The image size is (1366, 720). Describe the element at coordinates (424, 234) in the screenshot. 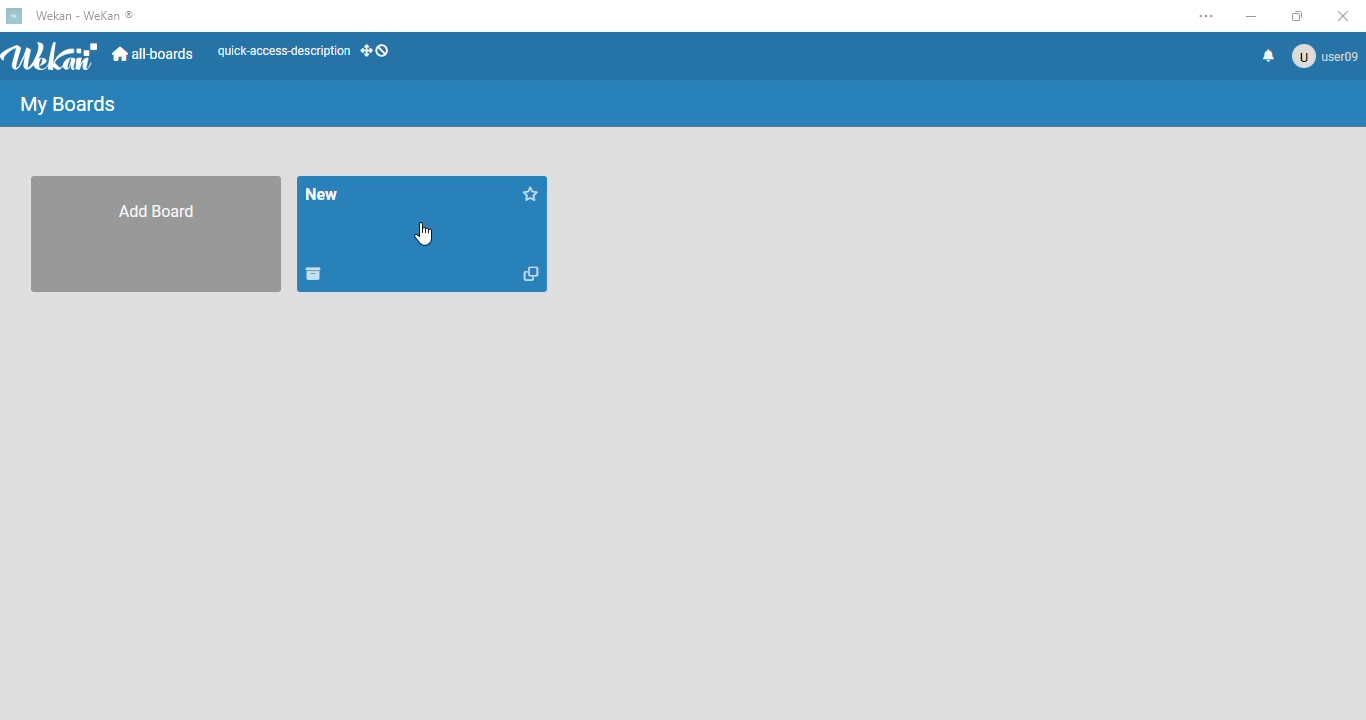

I see `cursor` at that location.